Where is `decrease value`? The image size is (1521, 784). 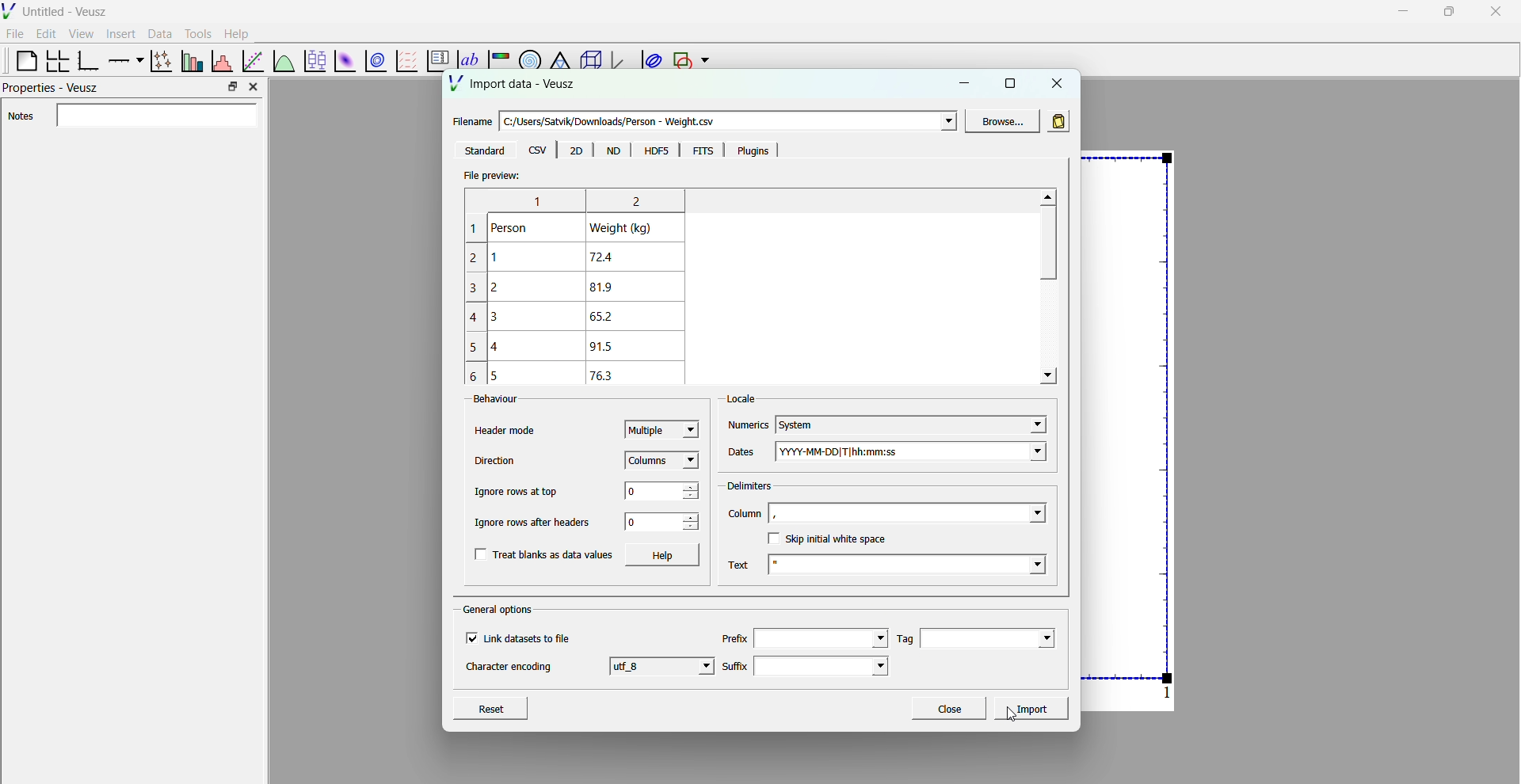 decrease value is located at coordinates (691, 527).